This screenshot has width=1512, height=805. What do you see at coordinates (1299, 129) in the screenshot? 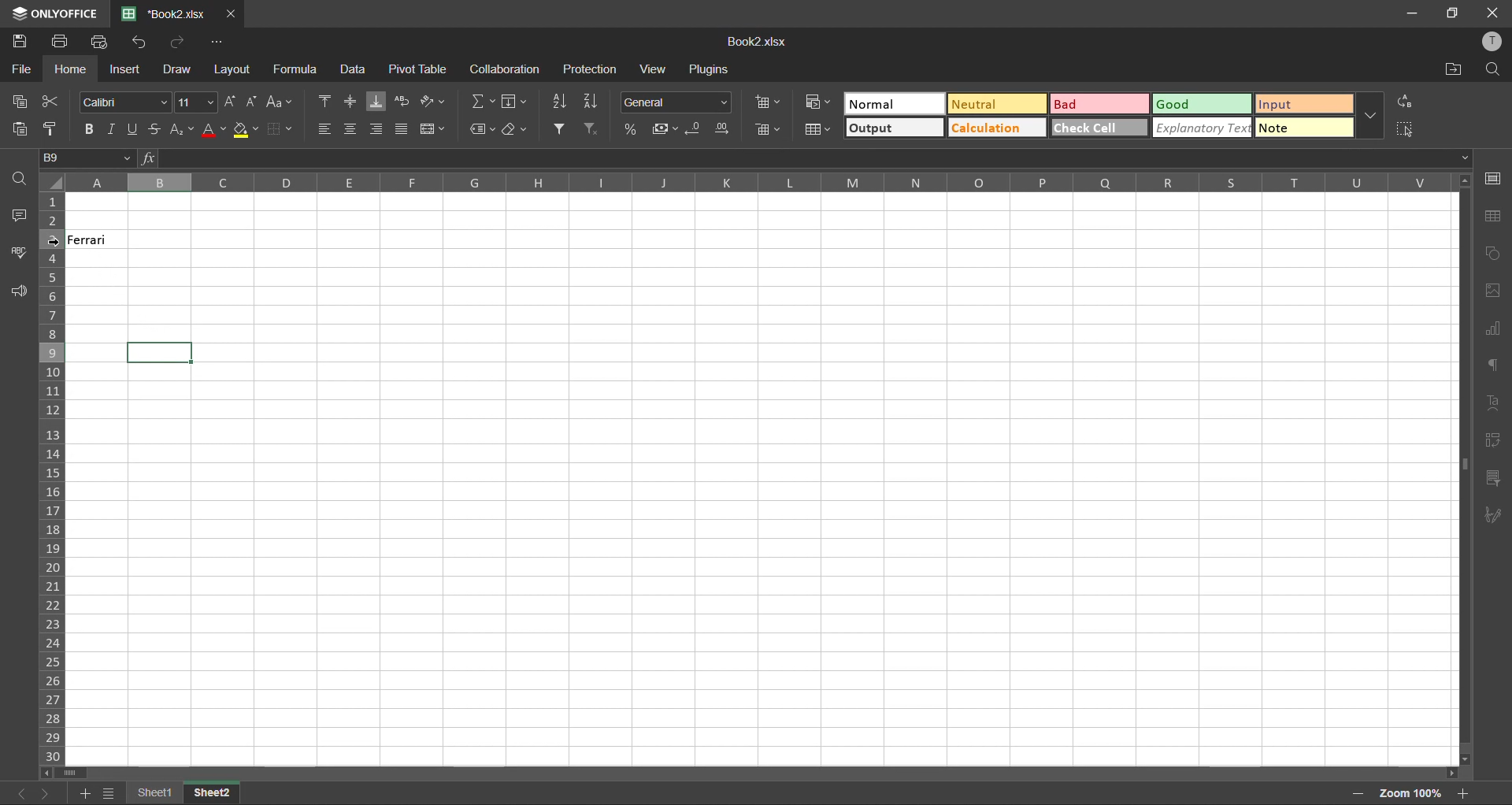
I see `note` at bounding box center [1299, 129].